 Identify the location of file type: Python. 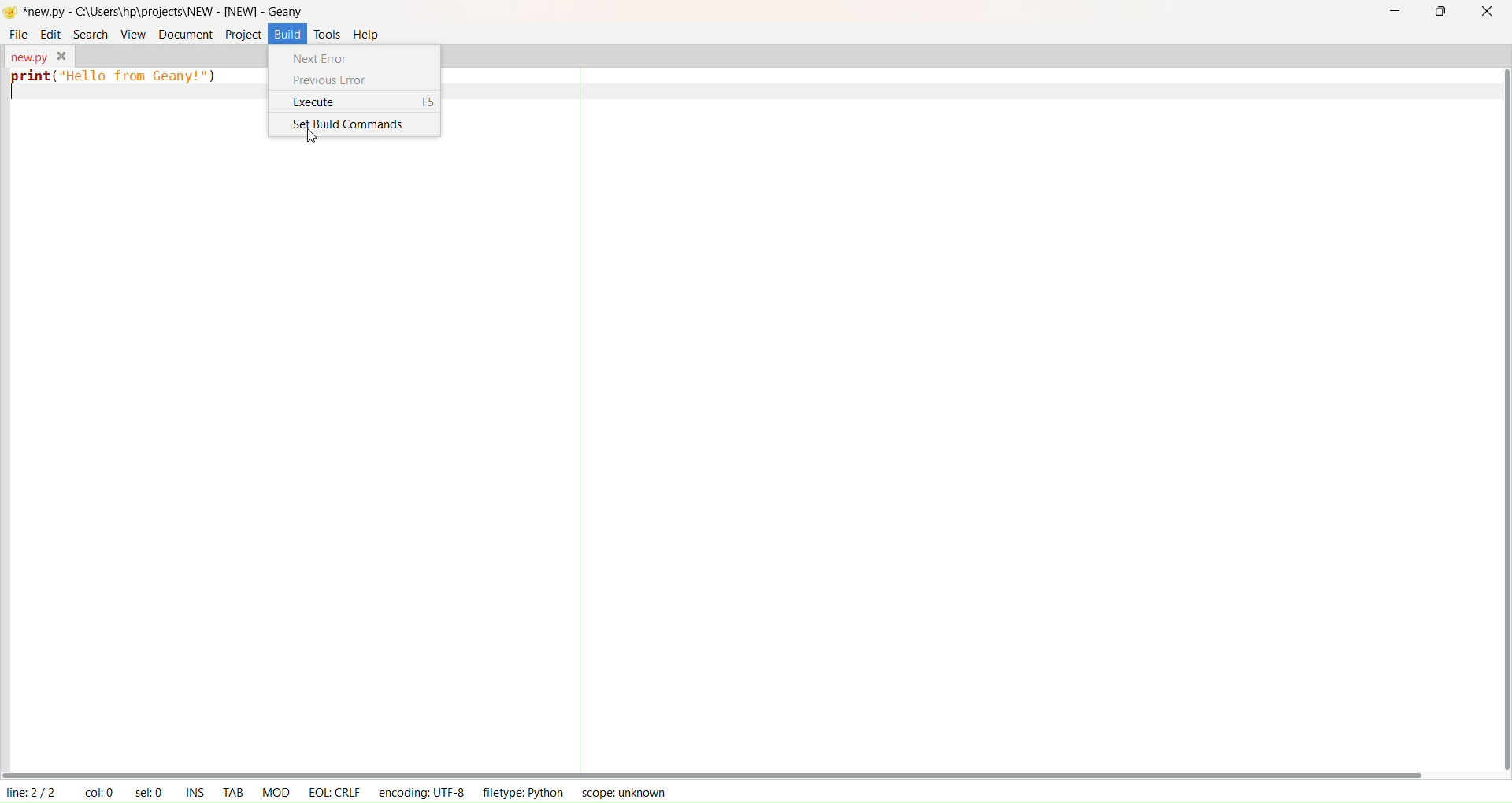
(521, 794).